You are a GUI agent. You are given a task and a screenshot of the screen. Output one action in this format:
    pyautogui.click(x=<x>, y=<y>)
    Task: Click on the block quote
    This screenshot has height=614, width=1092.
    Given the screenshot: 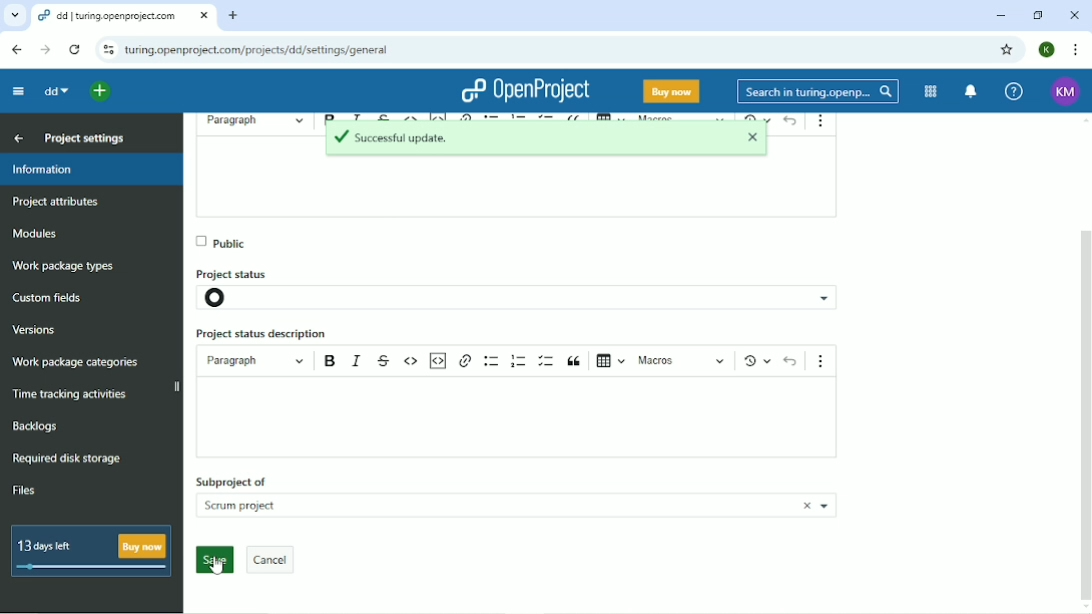 What is the action you would take?
    pyautogui.click(x=577, y=359)
    